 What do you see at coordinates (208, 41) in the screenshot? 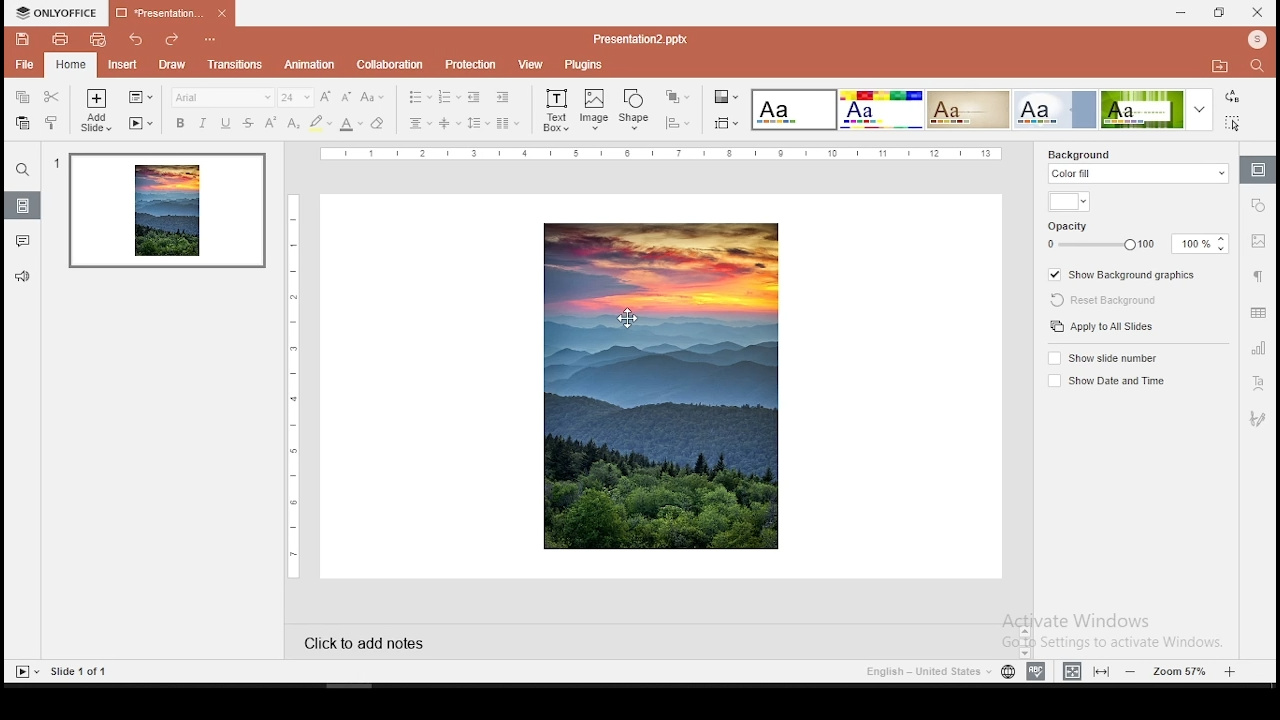
I see `configure quick action toolbar` at bounding box center [208, 41].